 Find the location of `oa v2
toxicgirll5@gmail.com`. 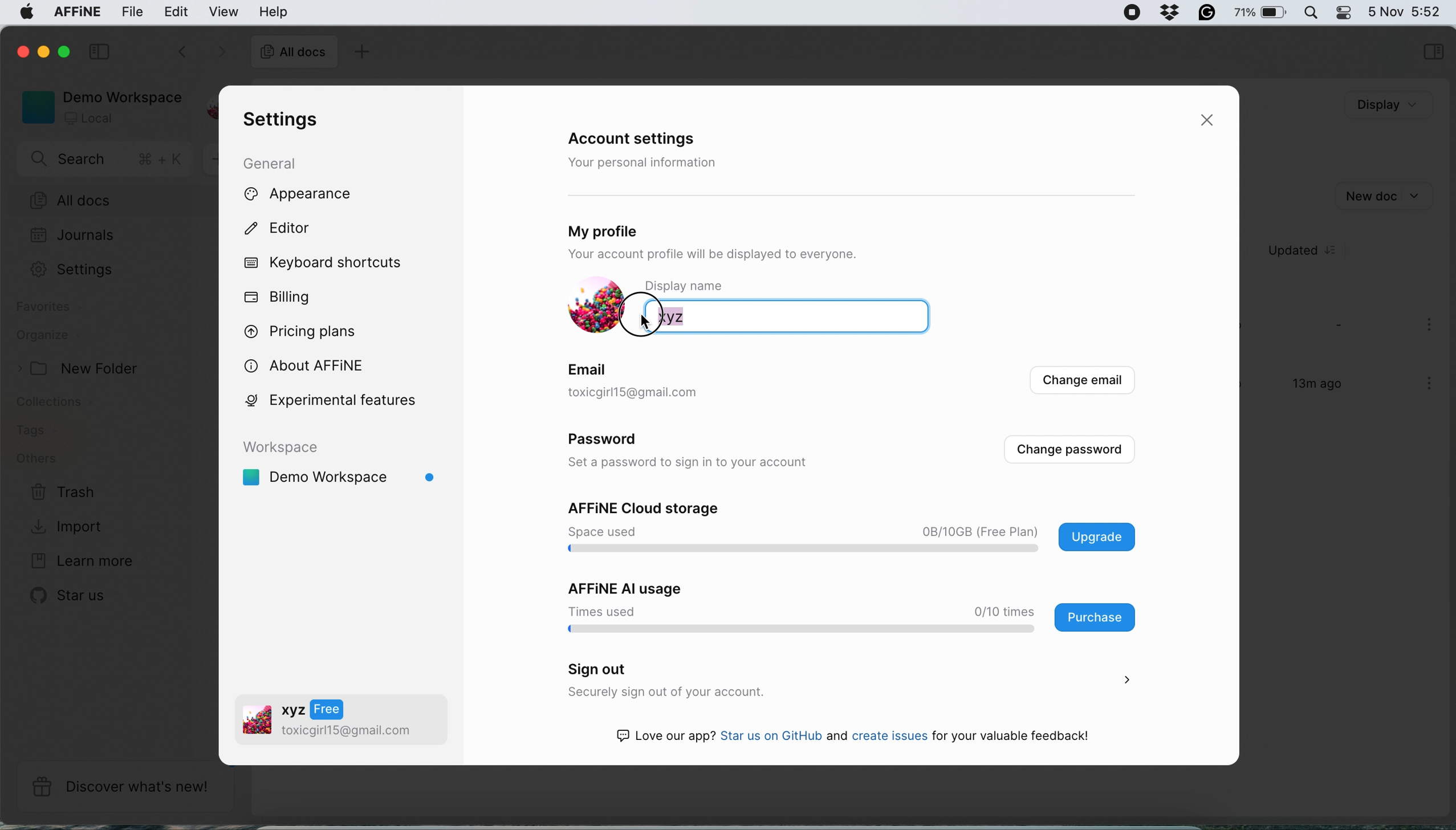

oa v2
toxicgirll5@gmail.com is located at coordinates (328, 722).